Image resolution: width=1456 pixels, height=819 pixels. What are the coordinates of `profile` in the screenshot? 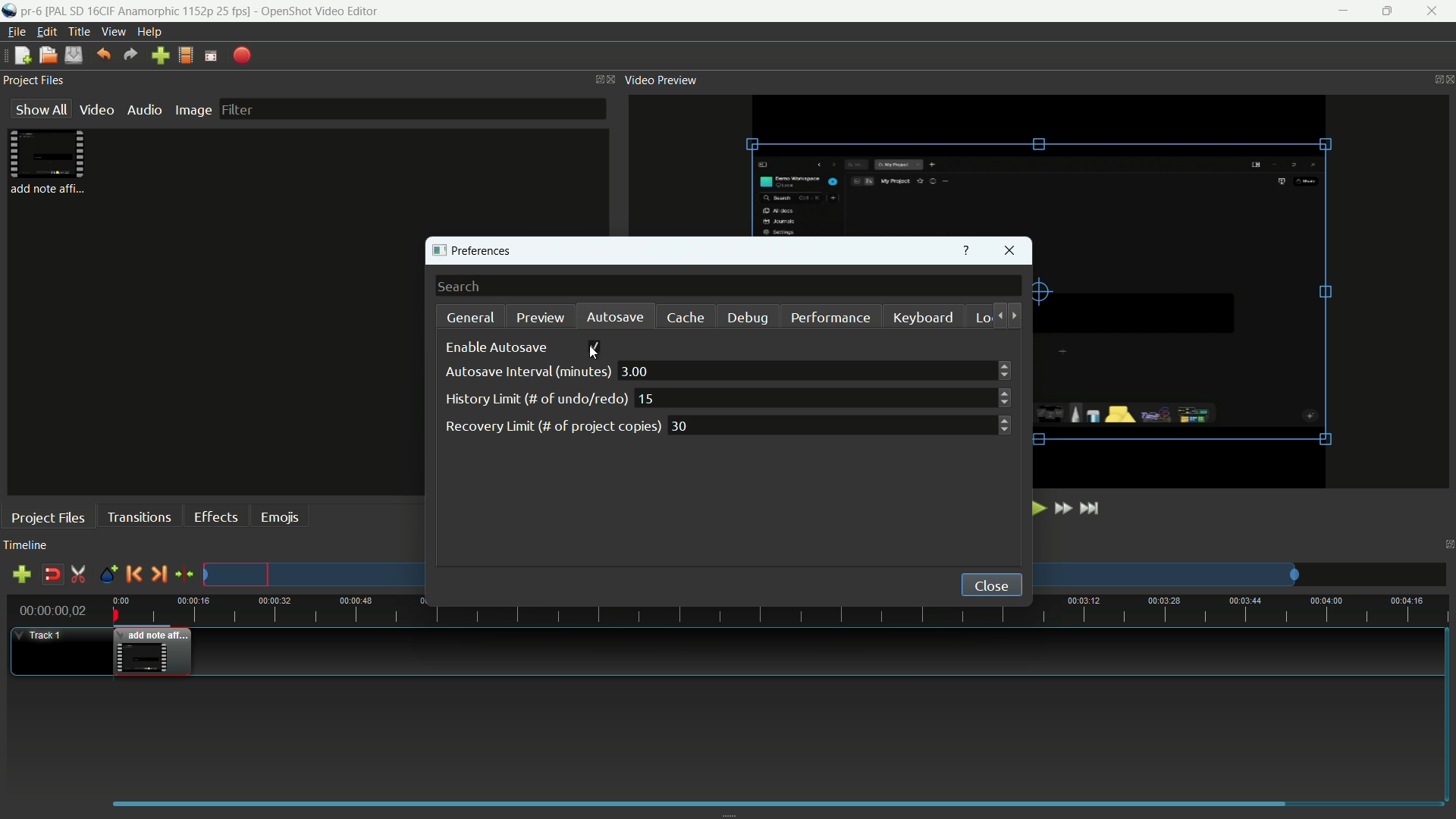 It's located at (149, 11).